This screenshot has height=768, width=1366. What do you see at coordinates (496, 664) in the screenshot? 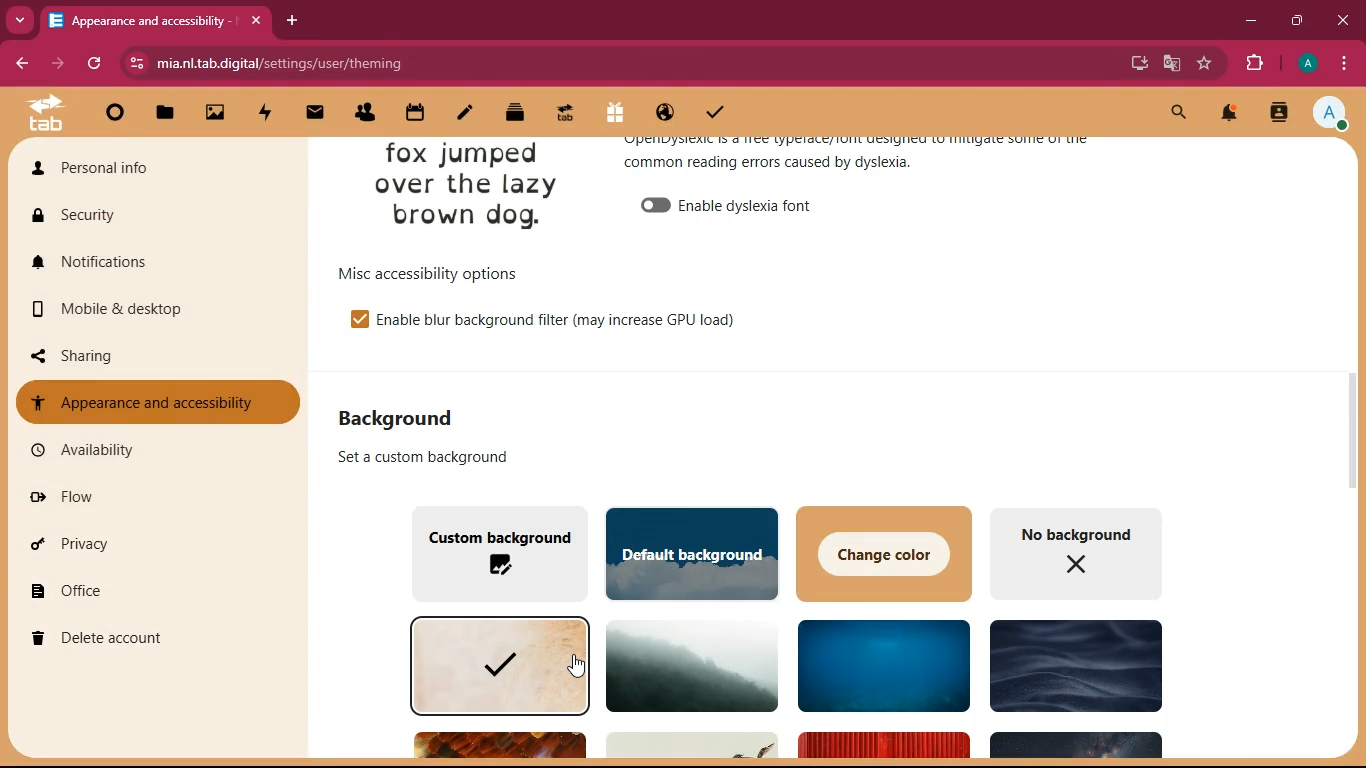
I see `background` at bounding box center [496, 664].